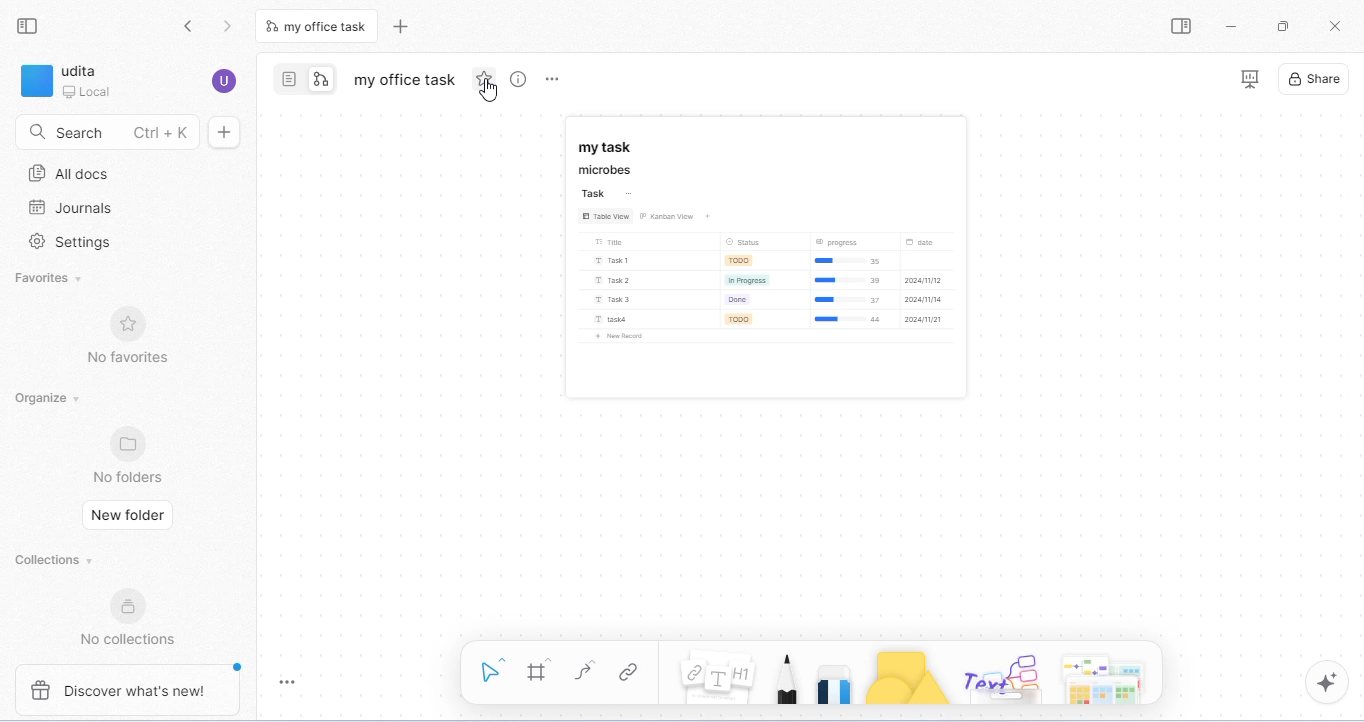 The height and width of the screenshot is (722, 1364). What do you see at coordinates (542, 670) in the screenshot?
I see `frame` at bounding box center [542, 670].